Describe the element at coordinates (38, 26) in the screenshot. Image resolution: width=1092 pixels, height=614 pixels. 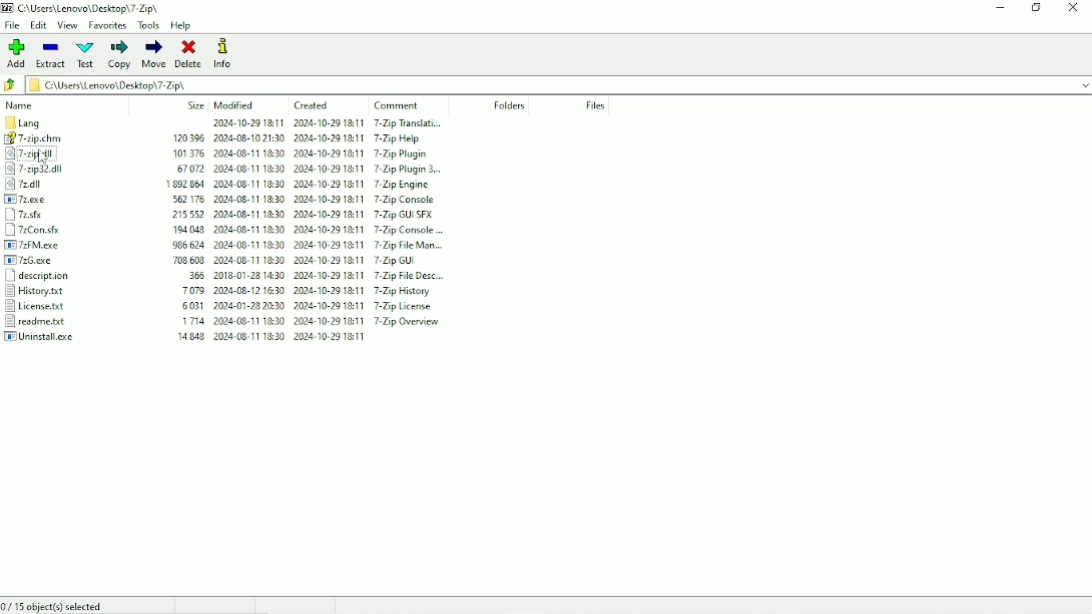
I see `Edit` at that location.